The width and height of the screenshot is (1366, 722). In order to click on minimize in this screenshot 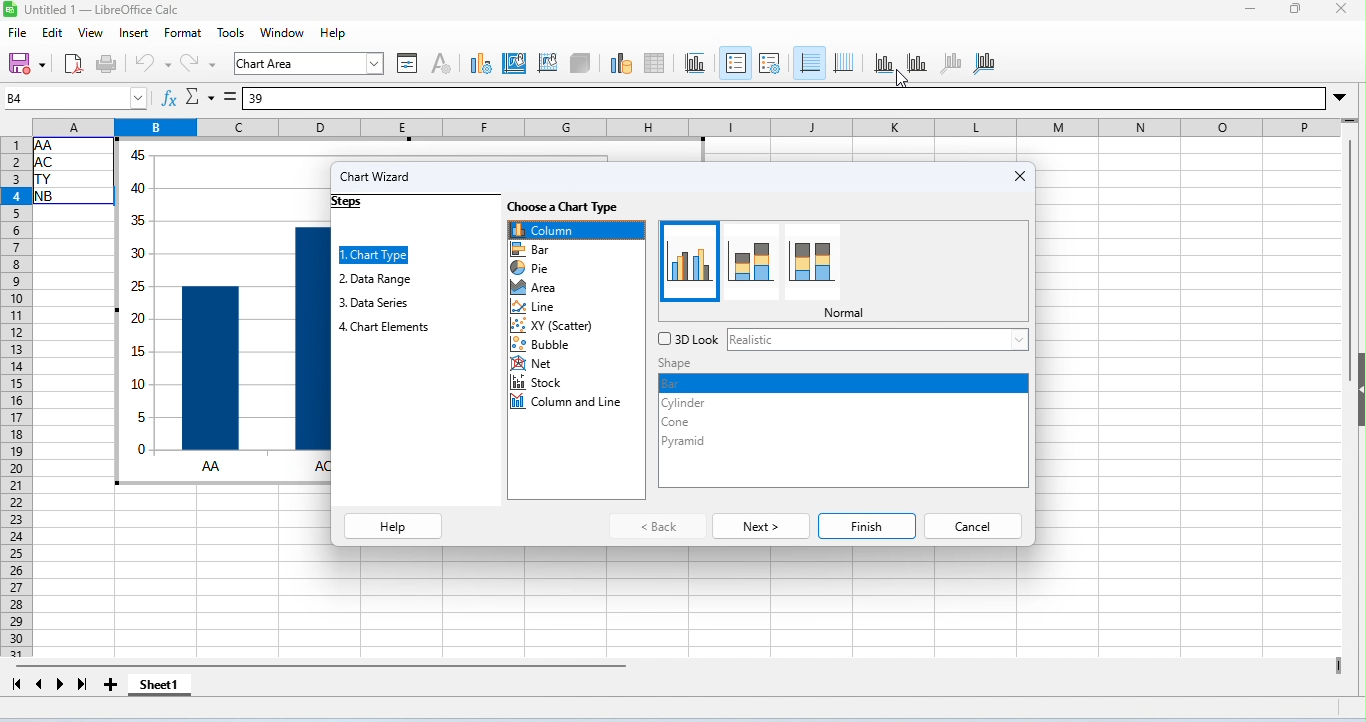, I will do `click(1247, 10)`.